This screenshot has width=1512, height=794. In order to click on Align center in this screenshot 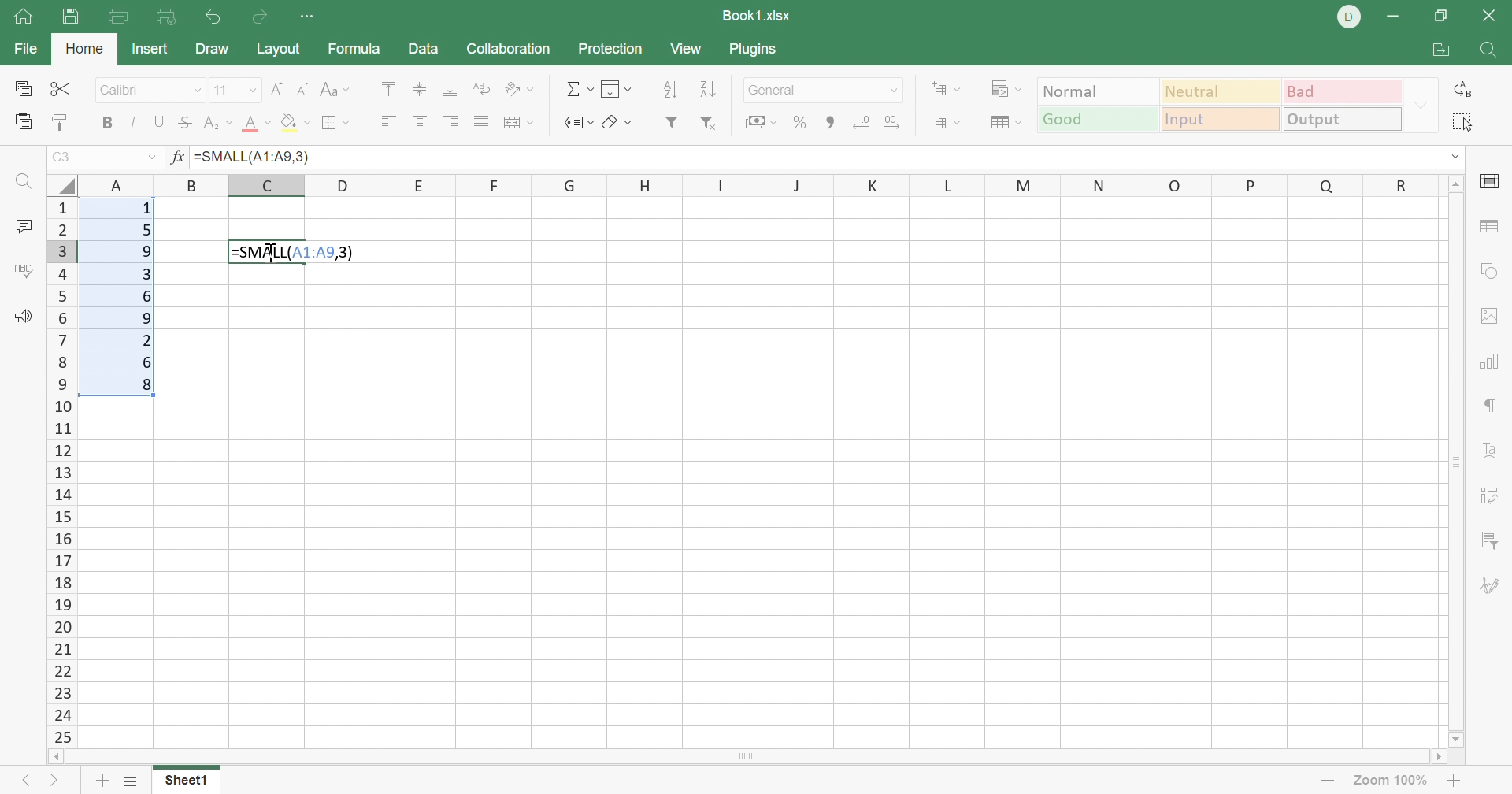, I will do `click(419, 122)`.